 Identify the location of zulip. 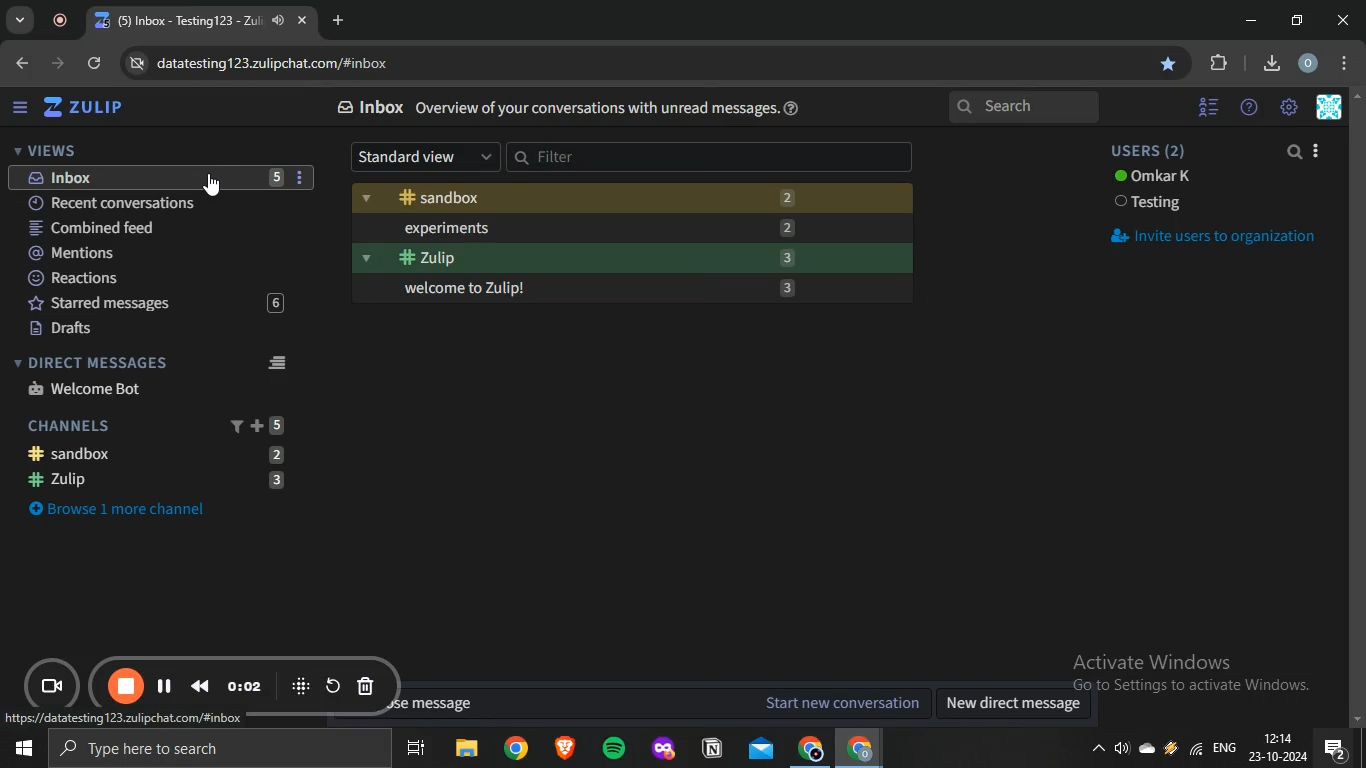
(88, 108).